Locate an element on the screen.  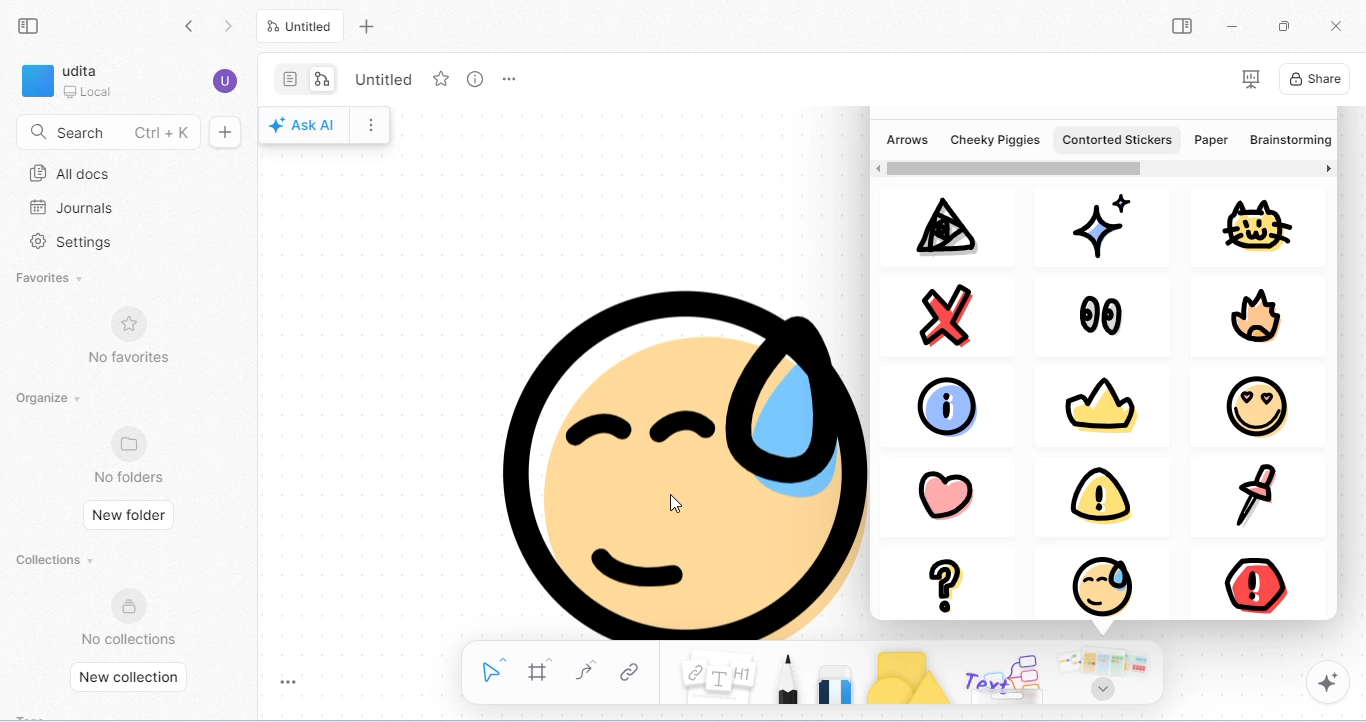
notes is located at coordinates (719, 674).